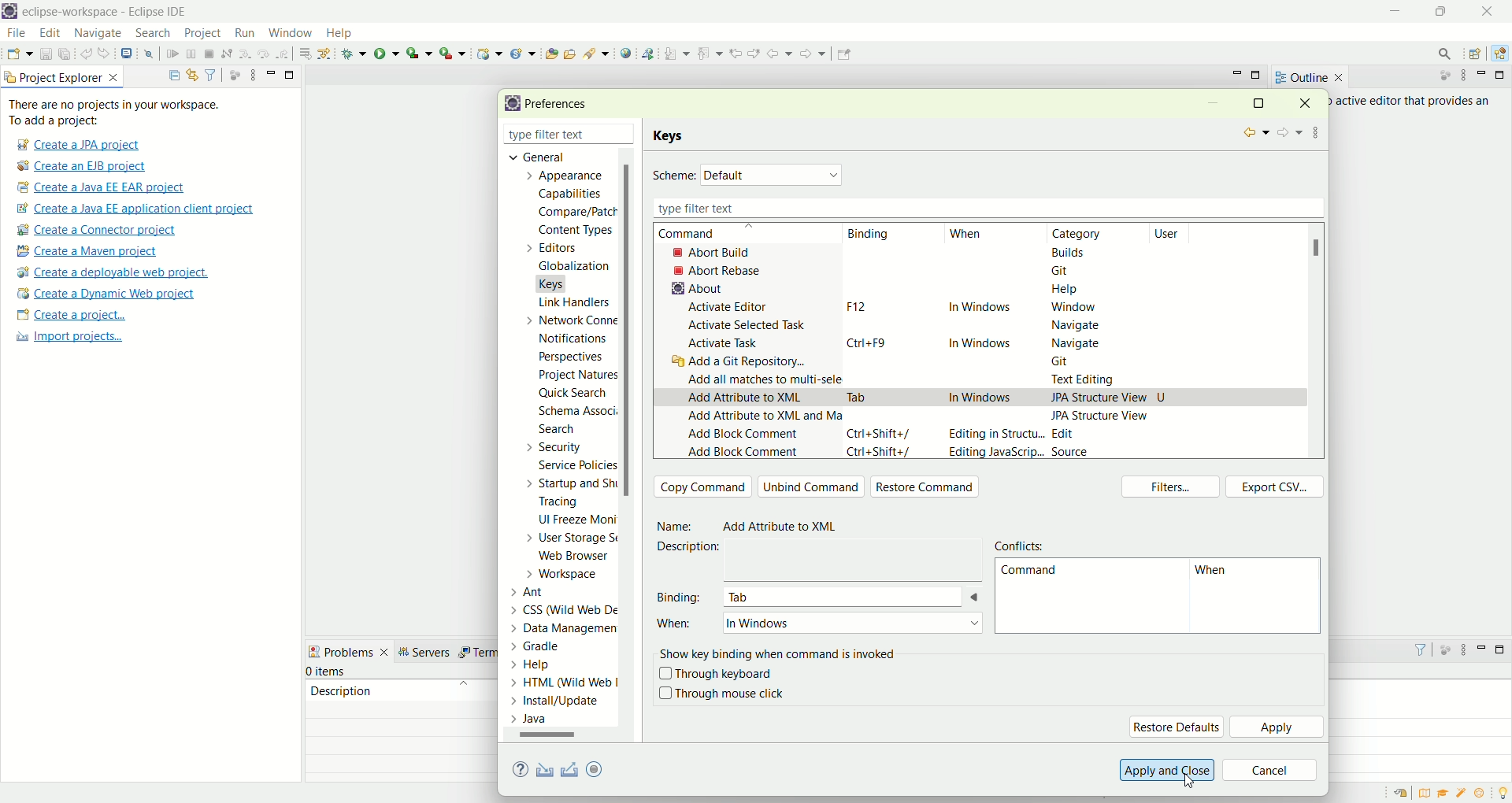 The height and width of the screenshot is (803, 1512). I want to click on service policies, so click(576, 465).